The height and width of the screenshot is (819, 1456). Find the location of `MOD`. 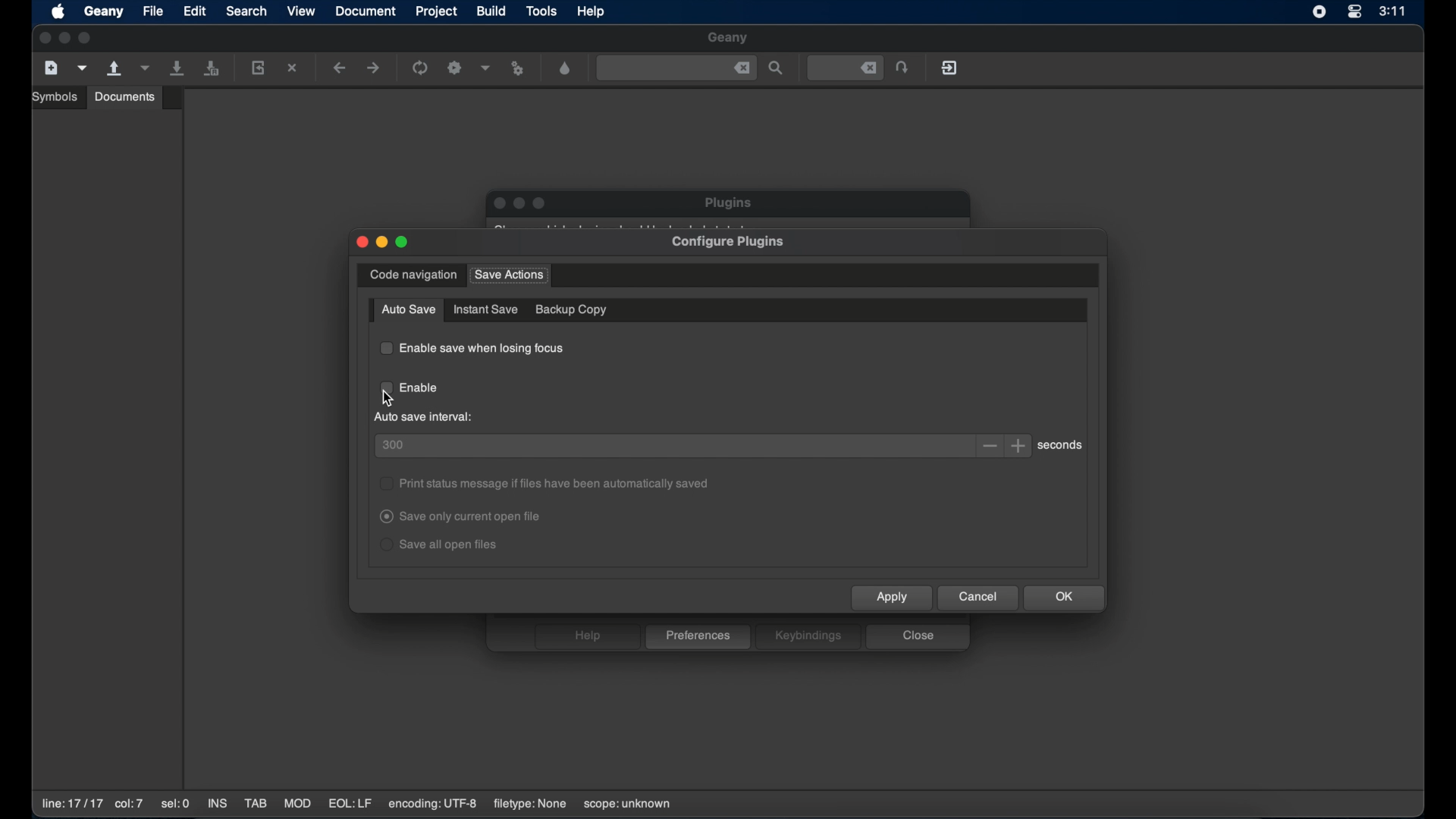

MOD is located at coordinates (297, 804).